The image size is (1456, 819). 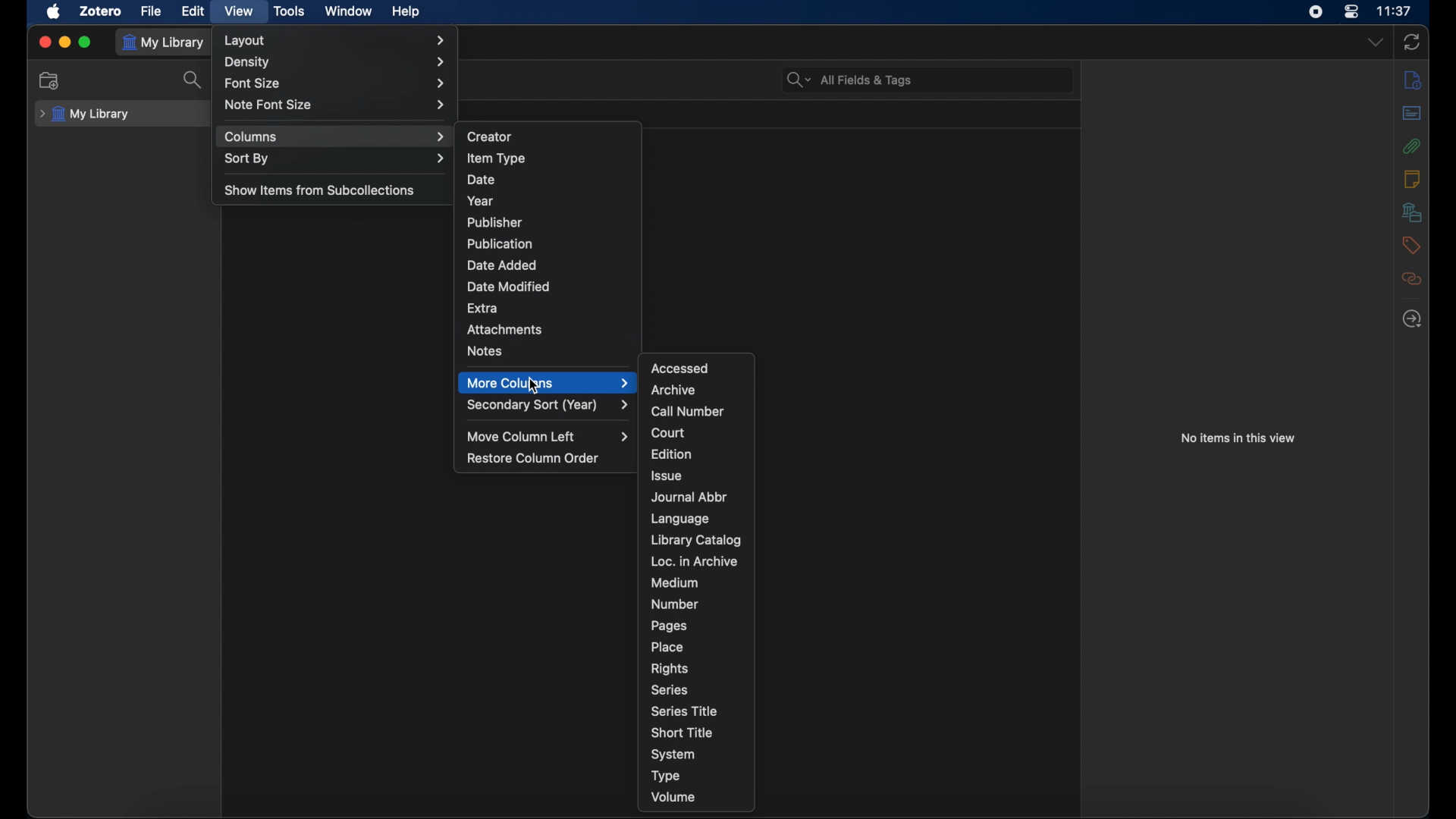 I want to click on sort by, so click(x=334, y=158).